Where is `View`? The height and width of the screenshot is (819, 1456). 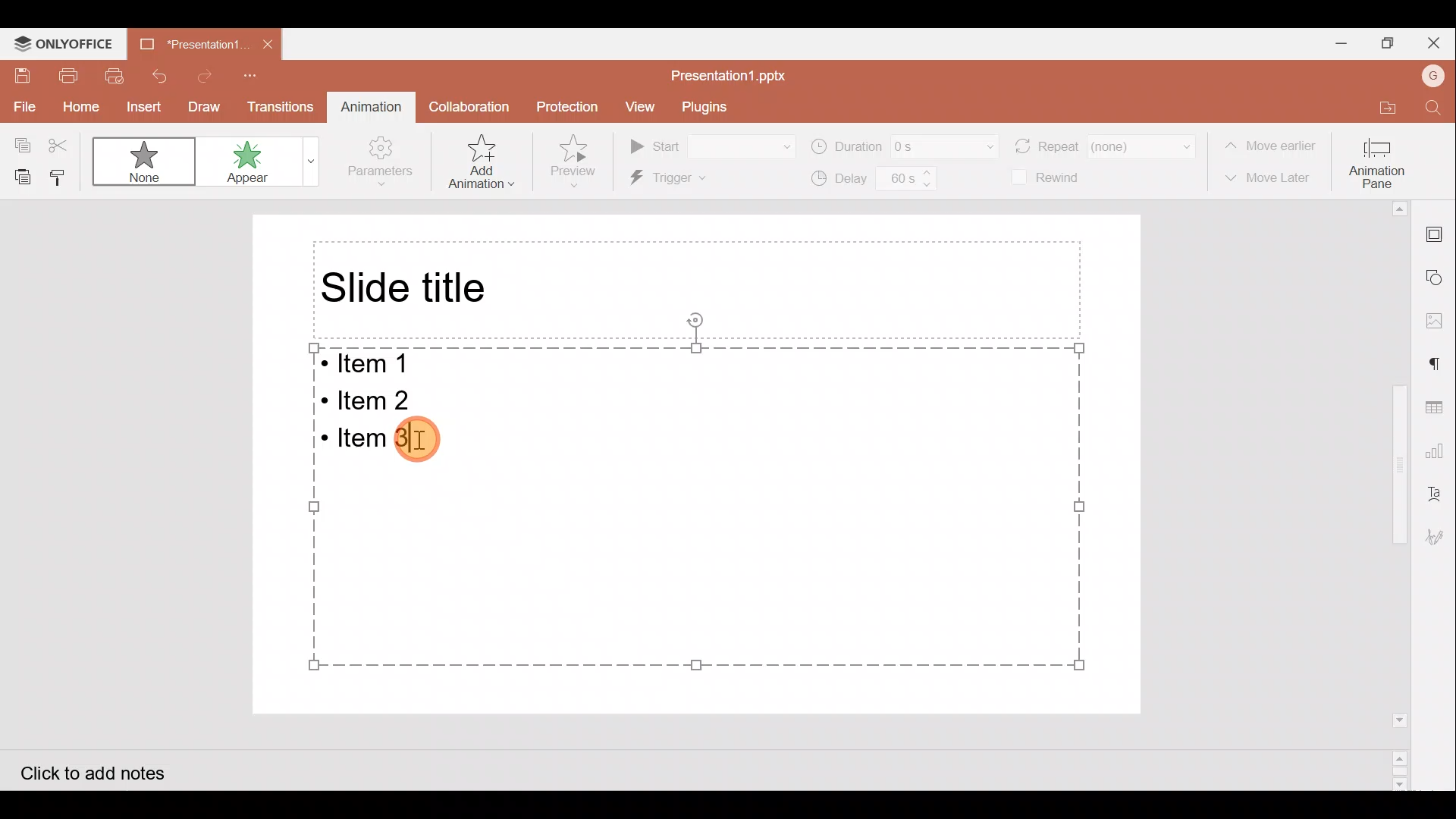
View is located at coordinates (642, 106).